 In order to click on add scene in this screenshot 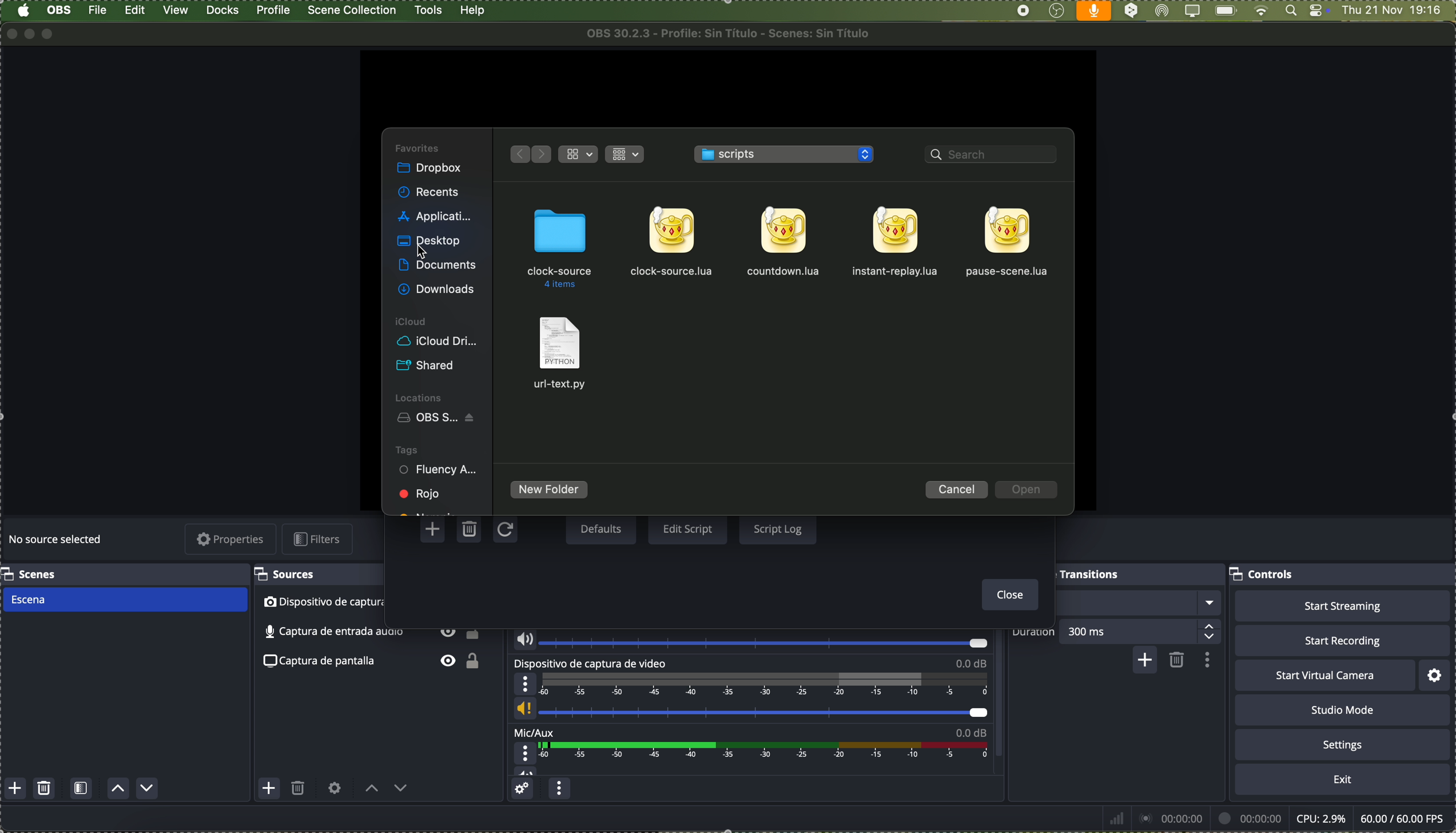, I will do `click(15, 789)`.